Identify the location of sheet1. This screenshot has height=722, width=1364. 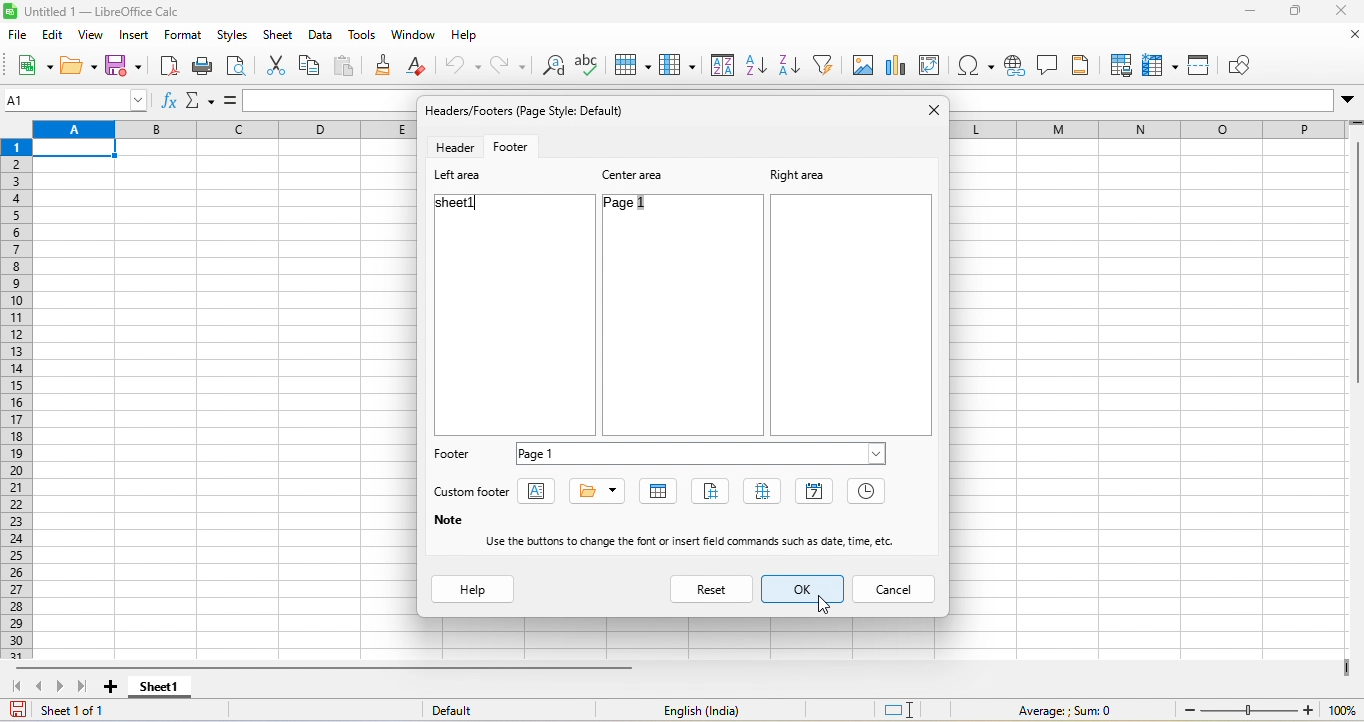
(159, 688).